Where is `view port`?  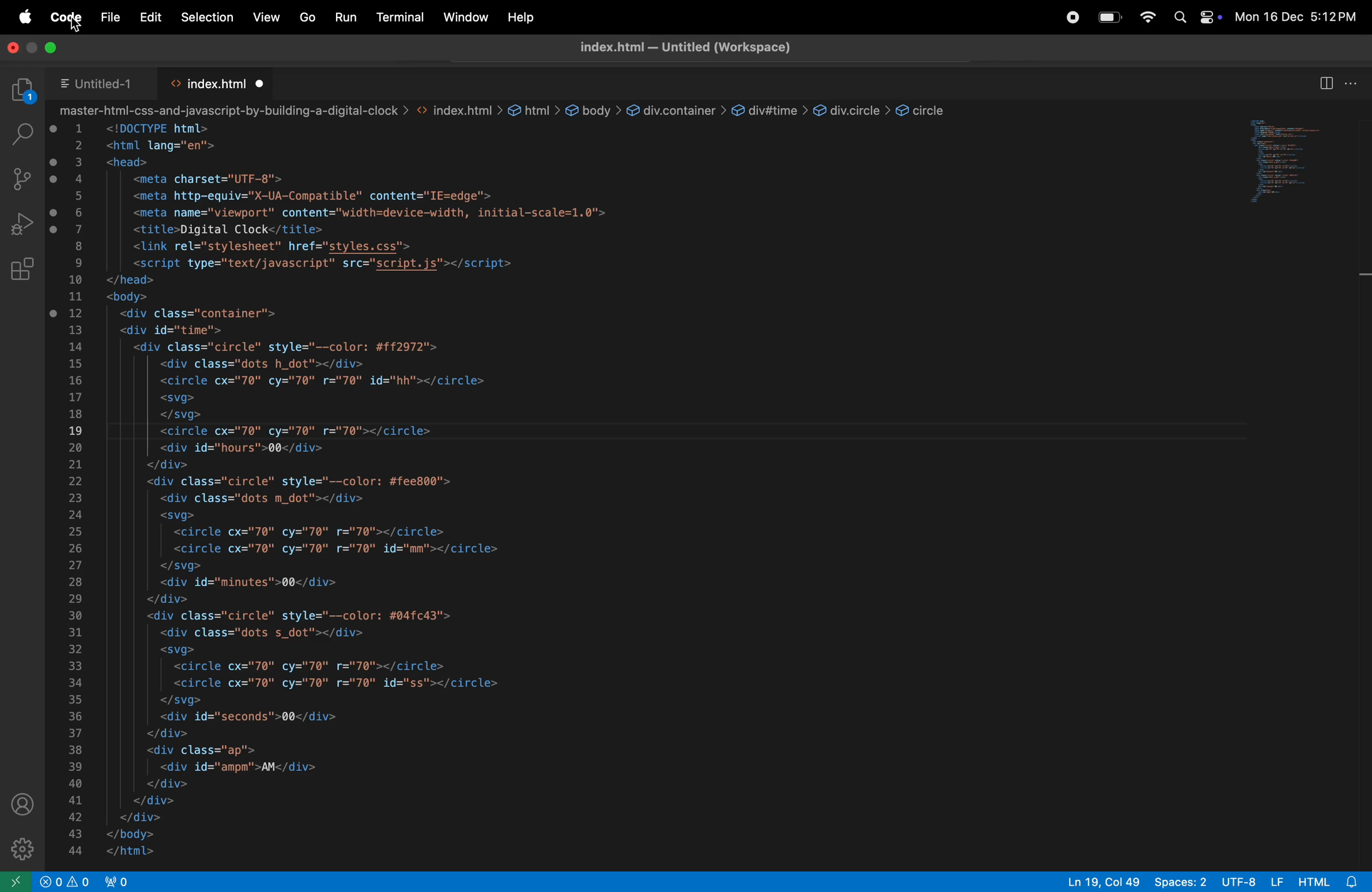 view port is located at coordinates (126, 881).